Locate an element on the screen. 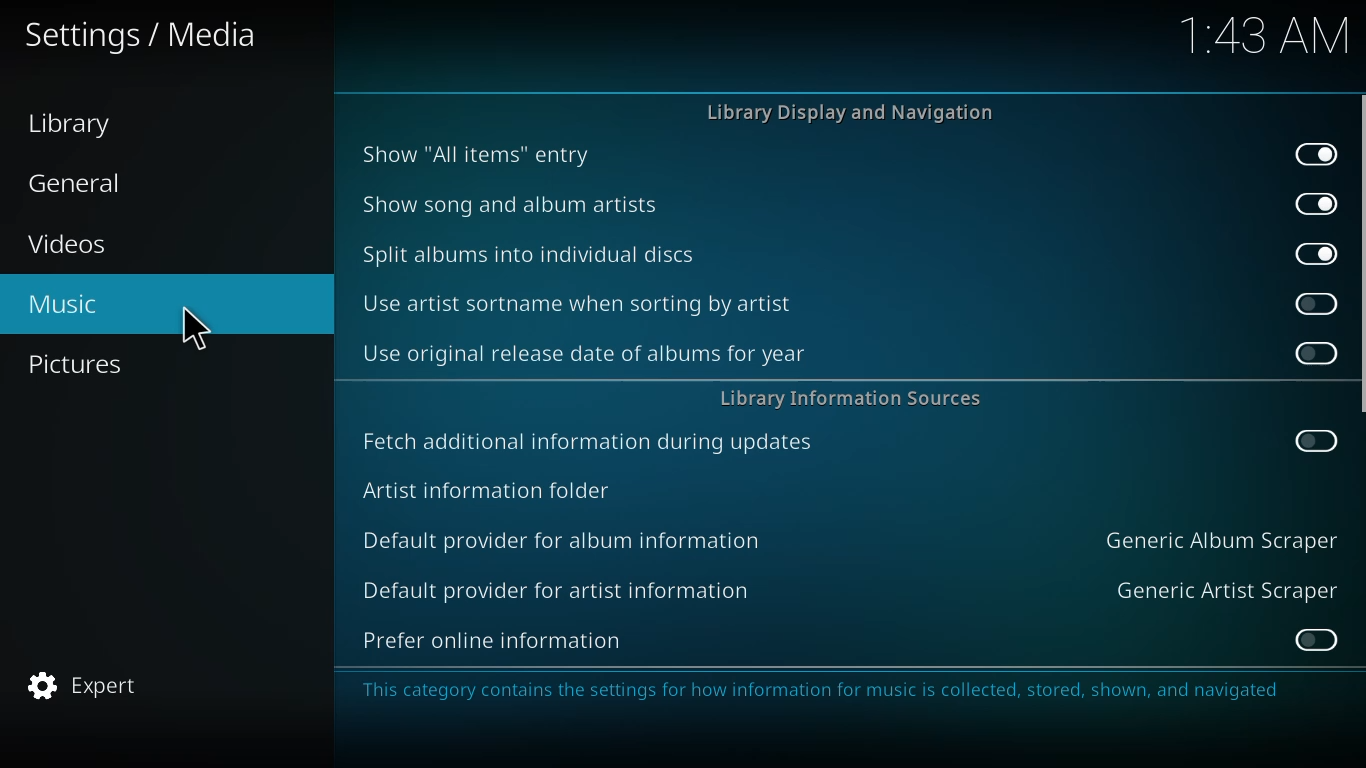 The height and width of the screenshot is (768, 1366). cursor is located at coordinates (192, 332).